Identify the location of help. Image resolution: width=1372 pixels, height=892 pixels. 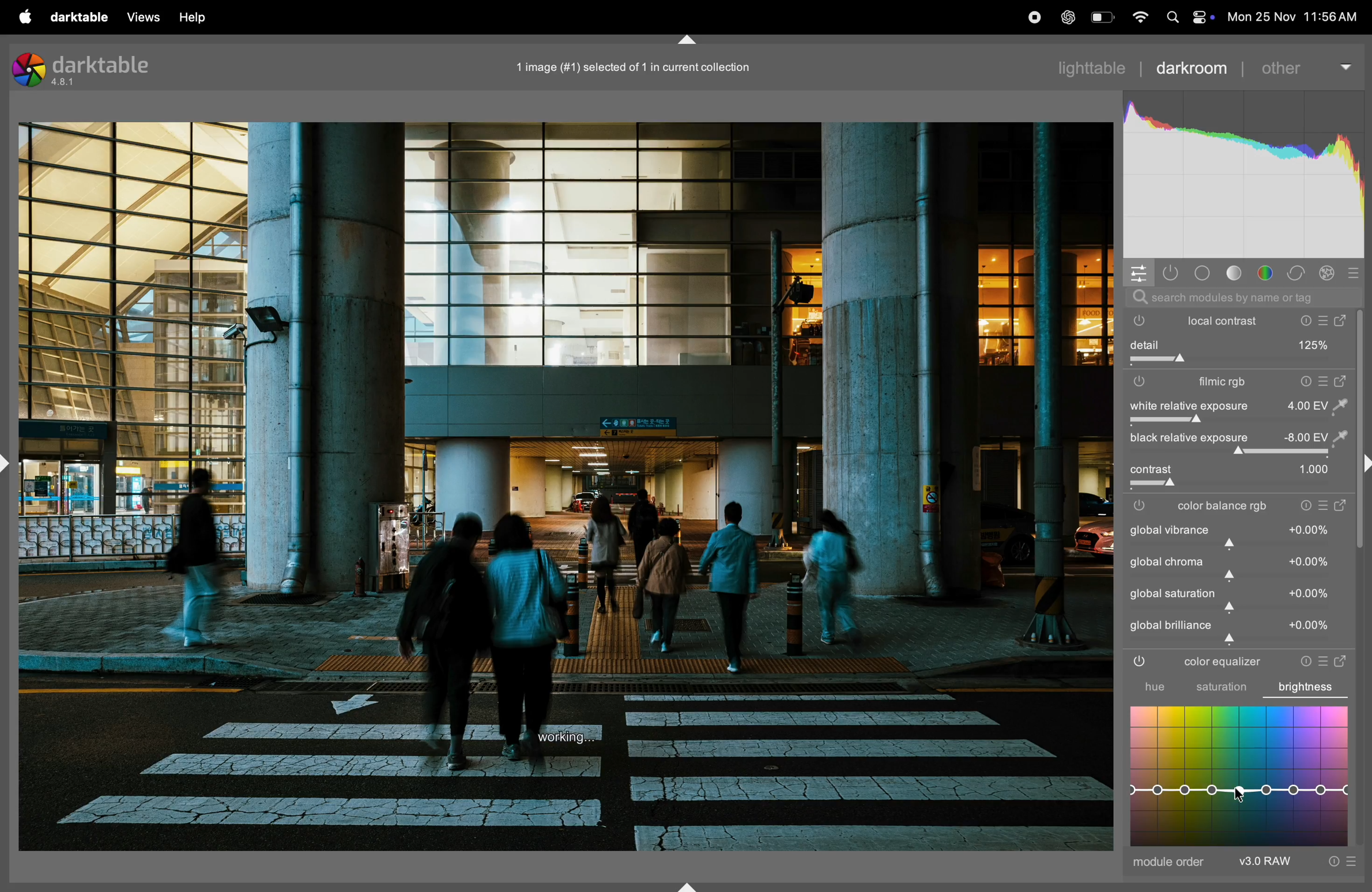
(193, 17).